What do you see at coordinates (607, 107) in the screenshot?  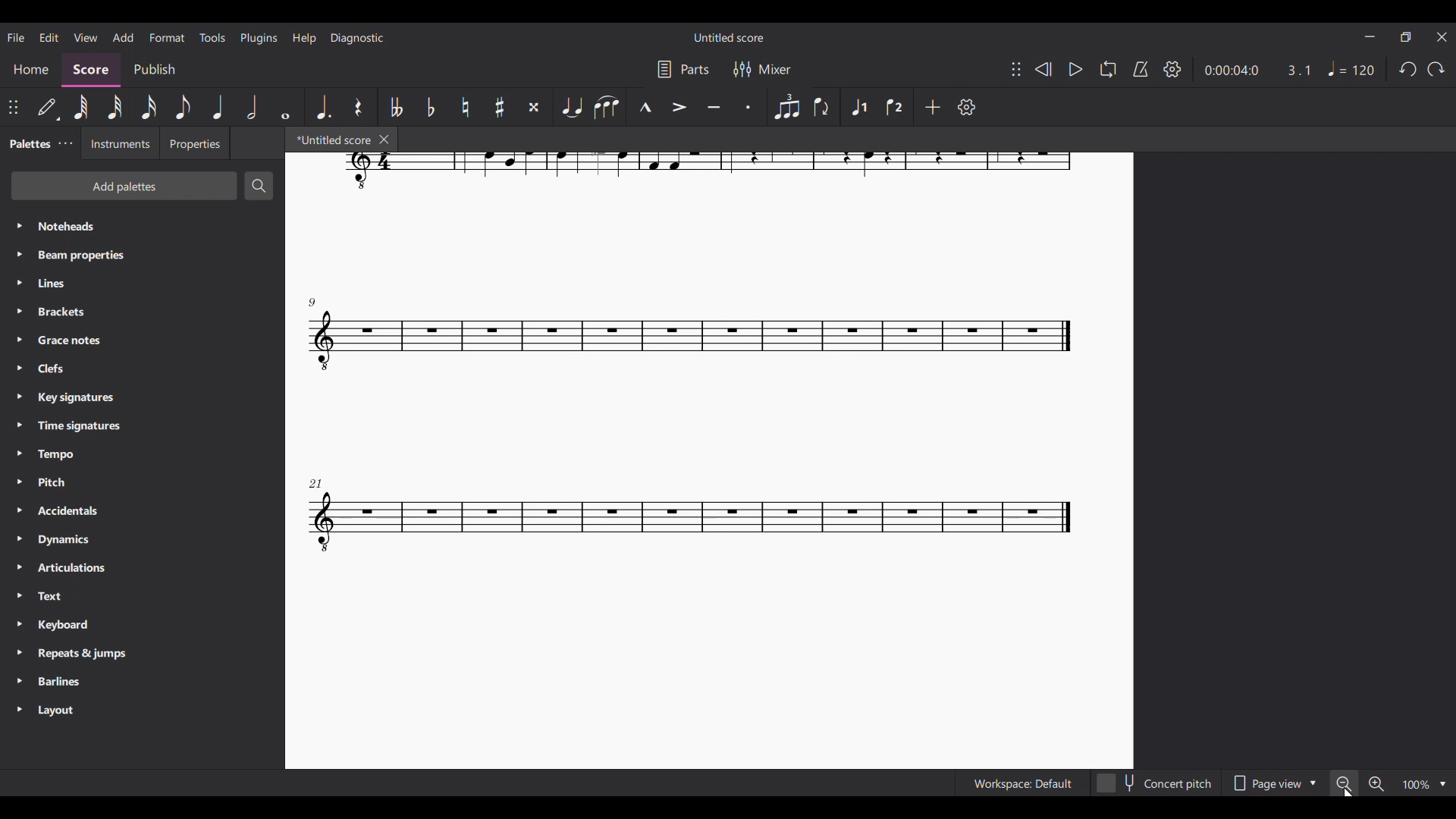 I see `Slur` at bounding box center [607, 107].